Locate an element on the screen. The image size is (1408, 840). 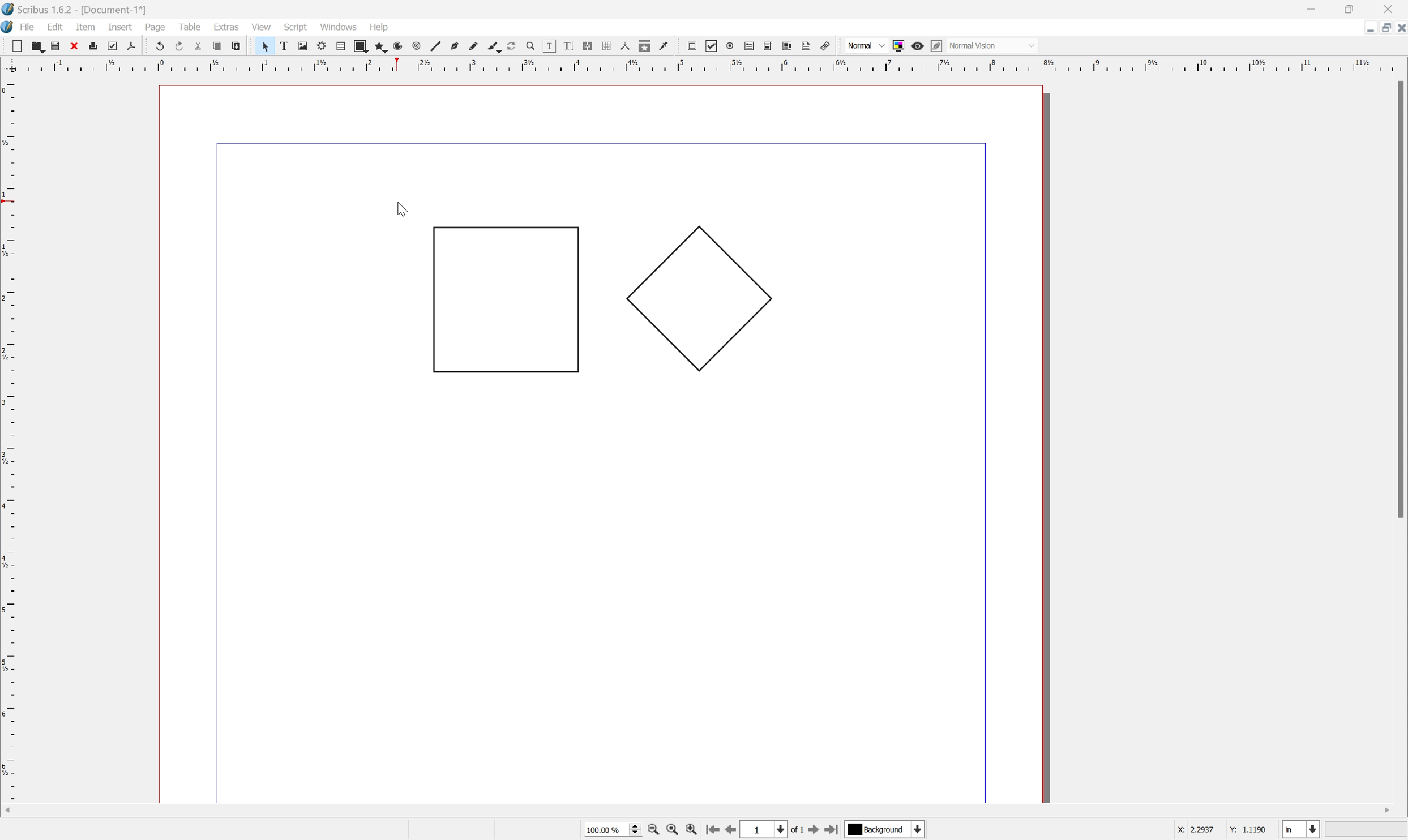
save as pdf is located at coordinates (135, 44).